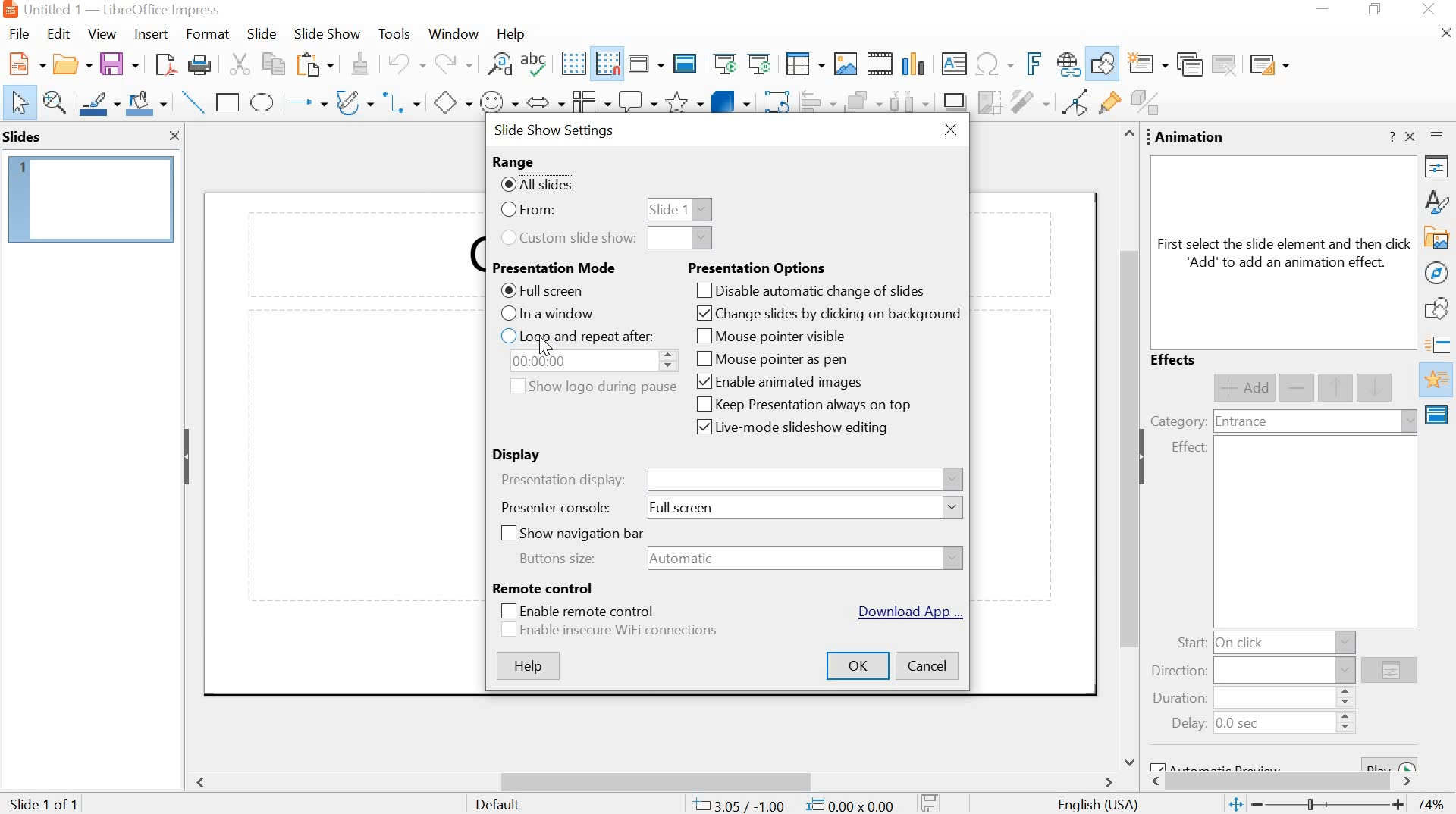 The height and width of the screenshot is (814, 1456). Describe the element at coordinates (1376, 387) in the screenshot. I see `move down` at that location.